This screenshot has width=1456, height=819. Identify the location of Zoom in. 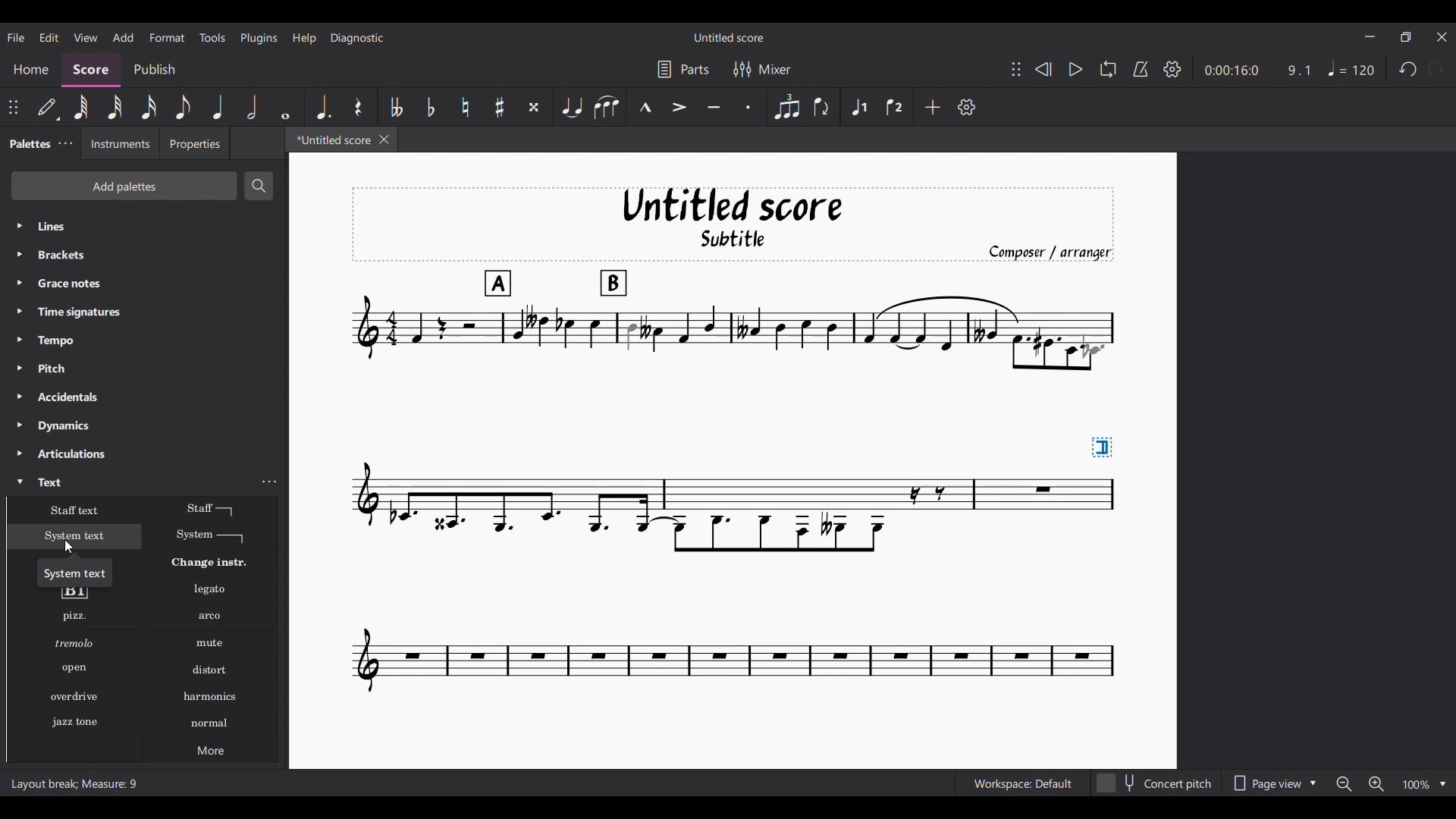
(1376, 783).